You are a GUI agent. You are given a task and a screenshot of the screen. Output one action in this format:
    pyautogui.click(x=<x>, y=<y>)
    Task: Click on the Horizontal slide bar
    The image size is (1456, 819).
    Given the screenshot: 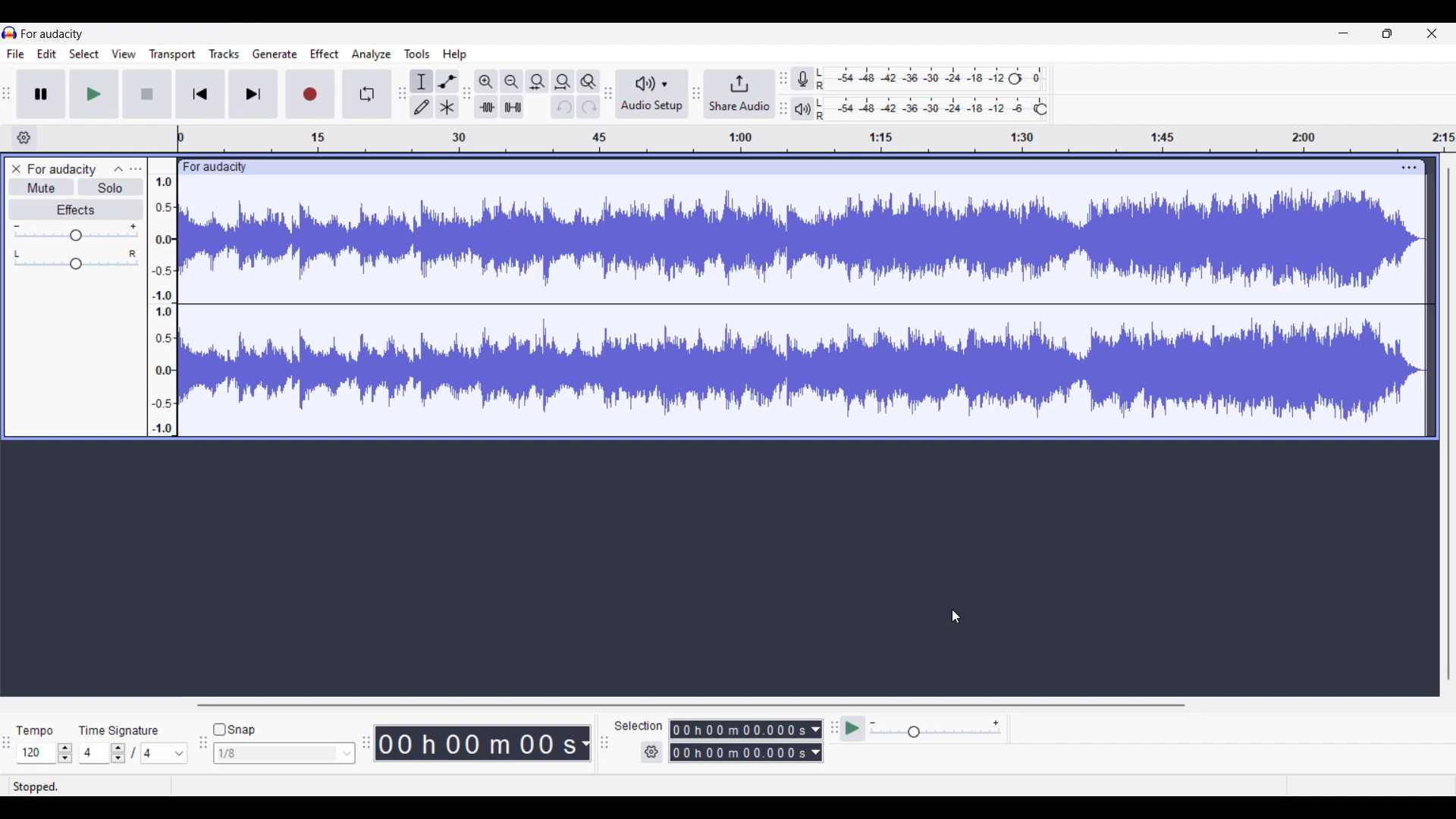 What is the action you would take?
    pyautogui.click(x=691, y=705)
    